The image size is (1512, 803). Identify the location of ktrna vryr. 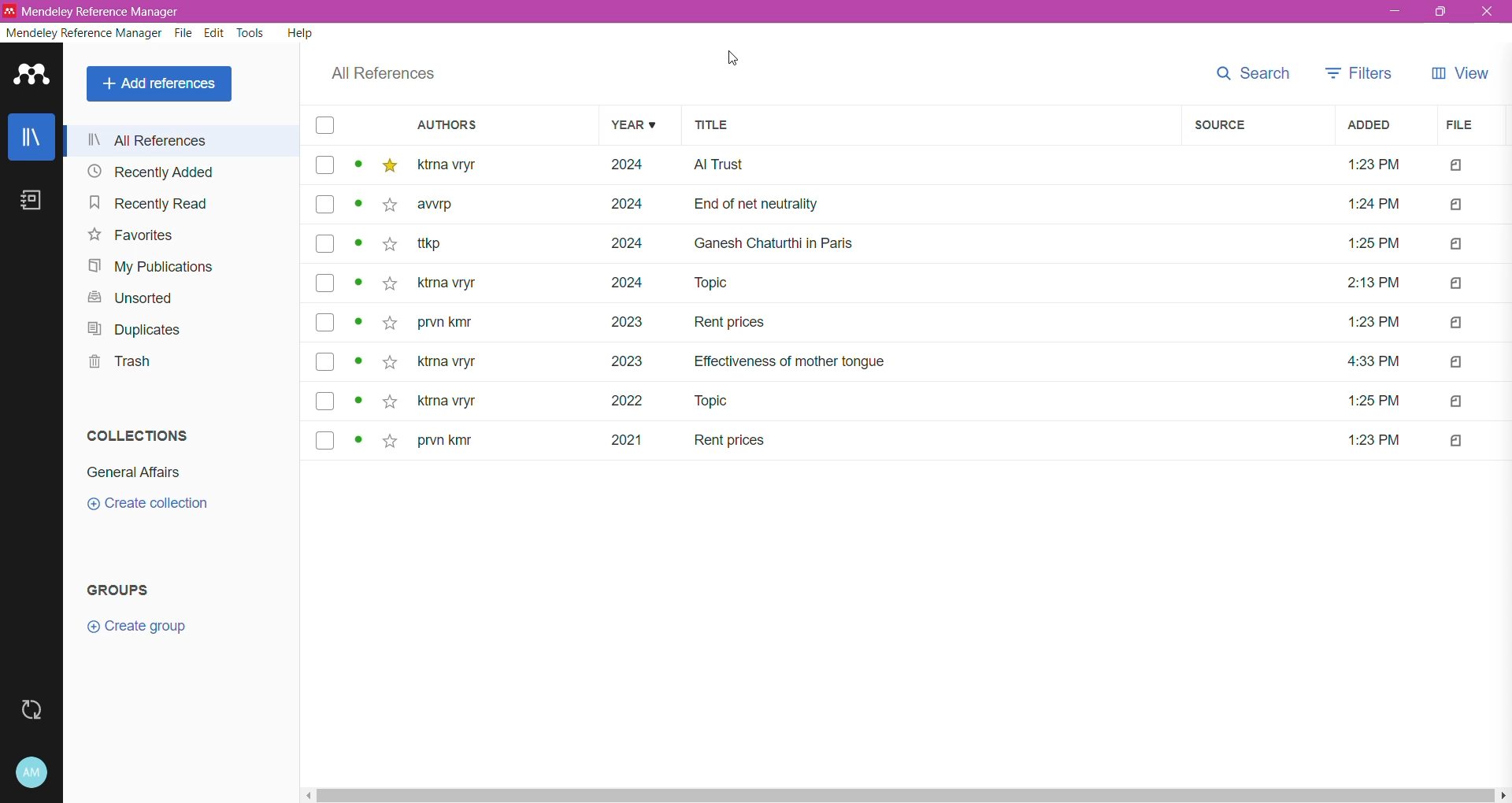
(448, 361).